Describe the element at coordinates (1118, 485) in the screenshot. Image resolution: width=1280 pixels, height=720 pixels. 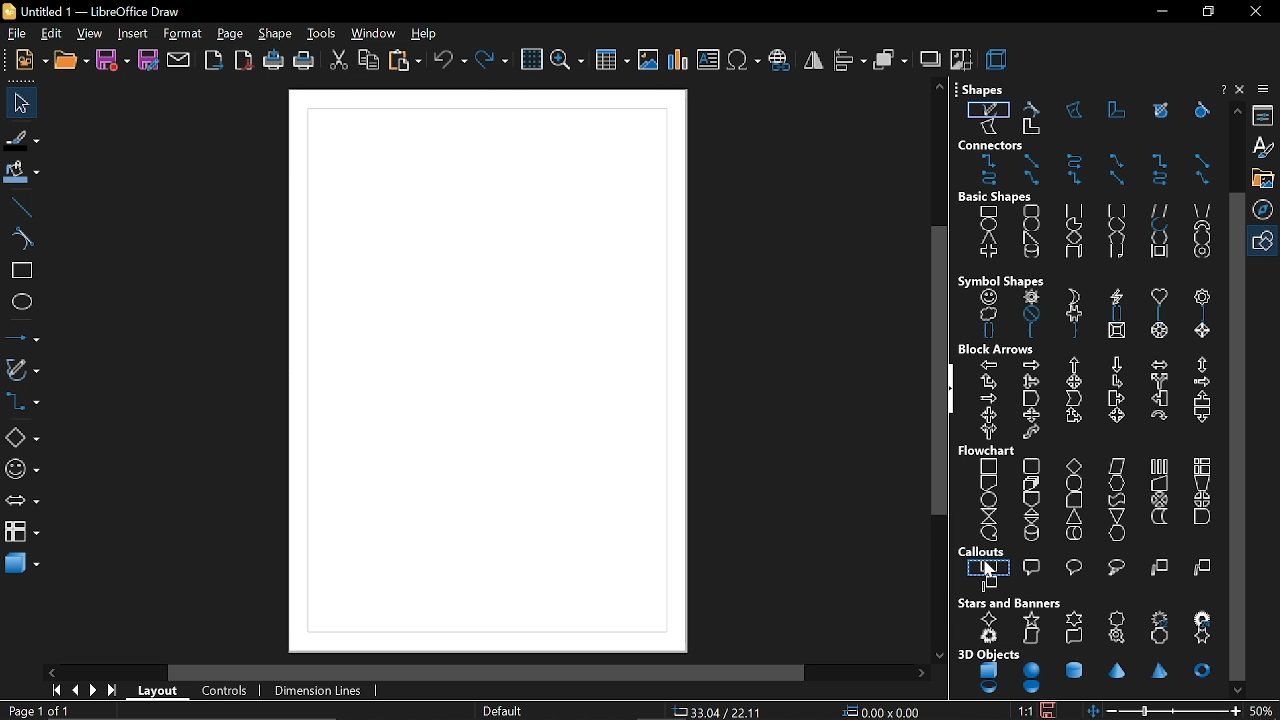
I see `preparation` at that location.